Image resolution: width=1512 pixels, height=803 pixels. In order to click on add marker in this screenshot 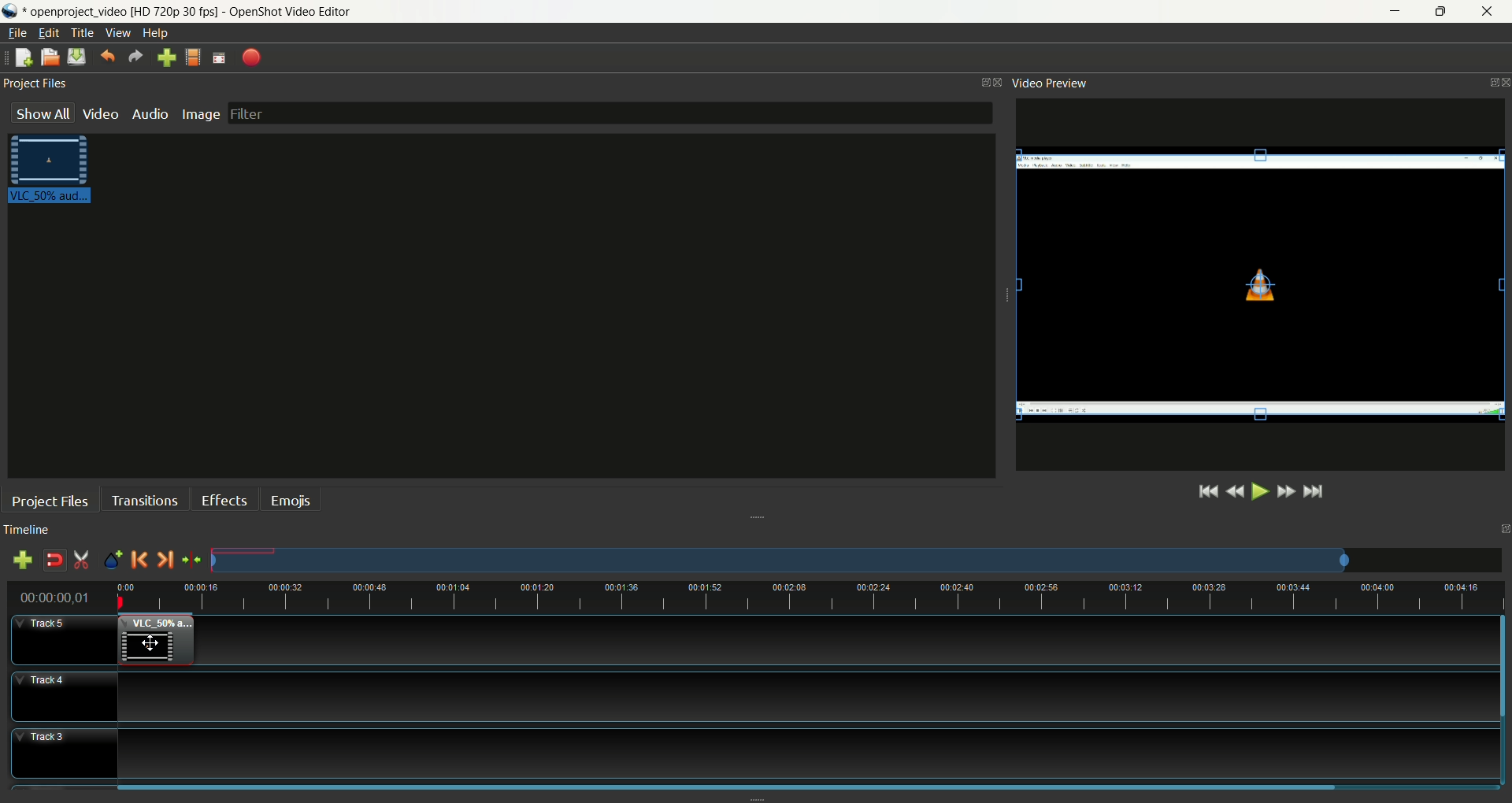, I will do `click(115, 558)`.